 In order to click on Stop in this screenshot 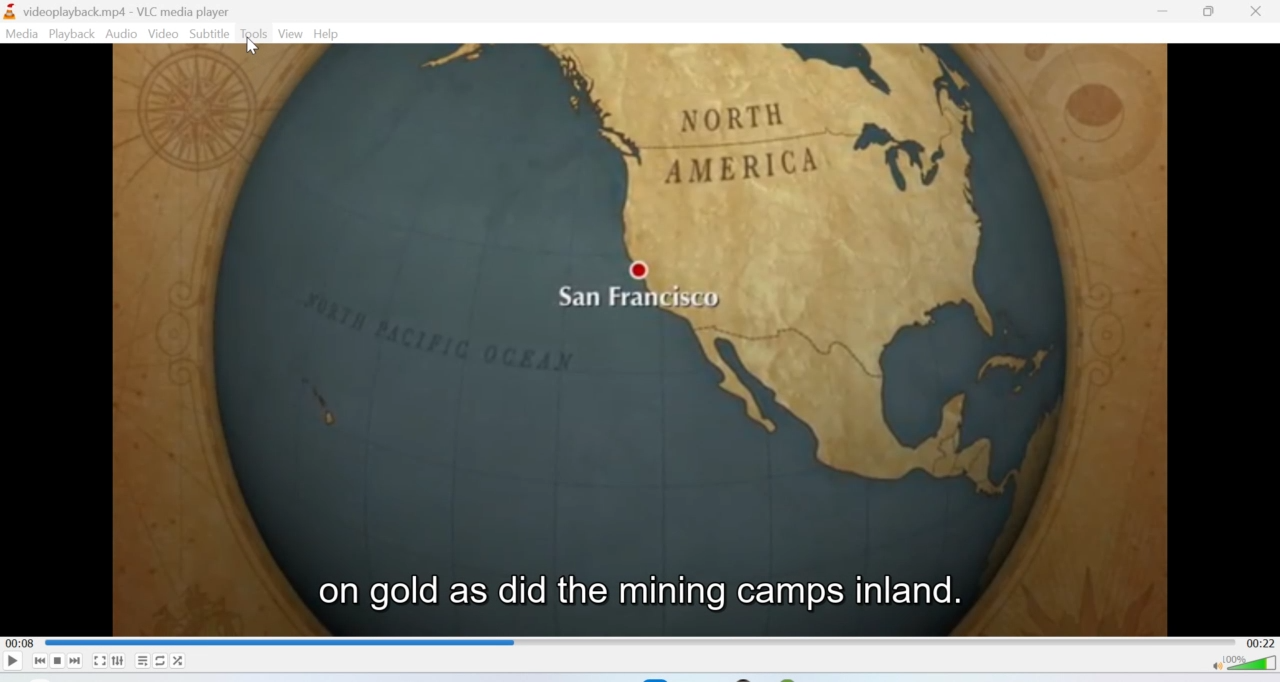, I will do `click(58, 661)`.